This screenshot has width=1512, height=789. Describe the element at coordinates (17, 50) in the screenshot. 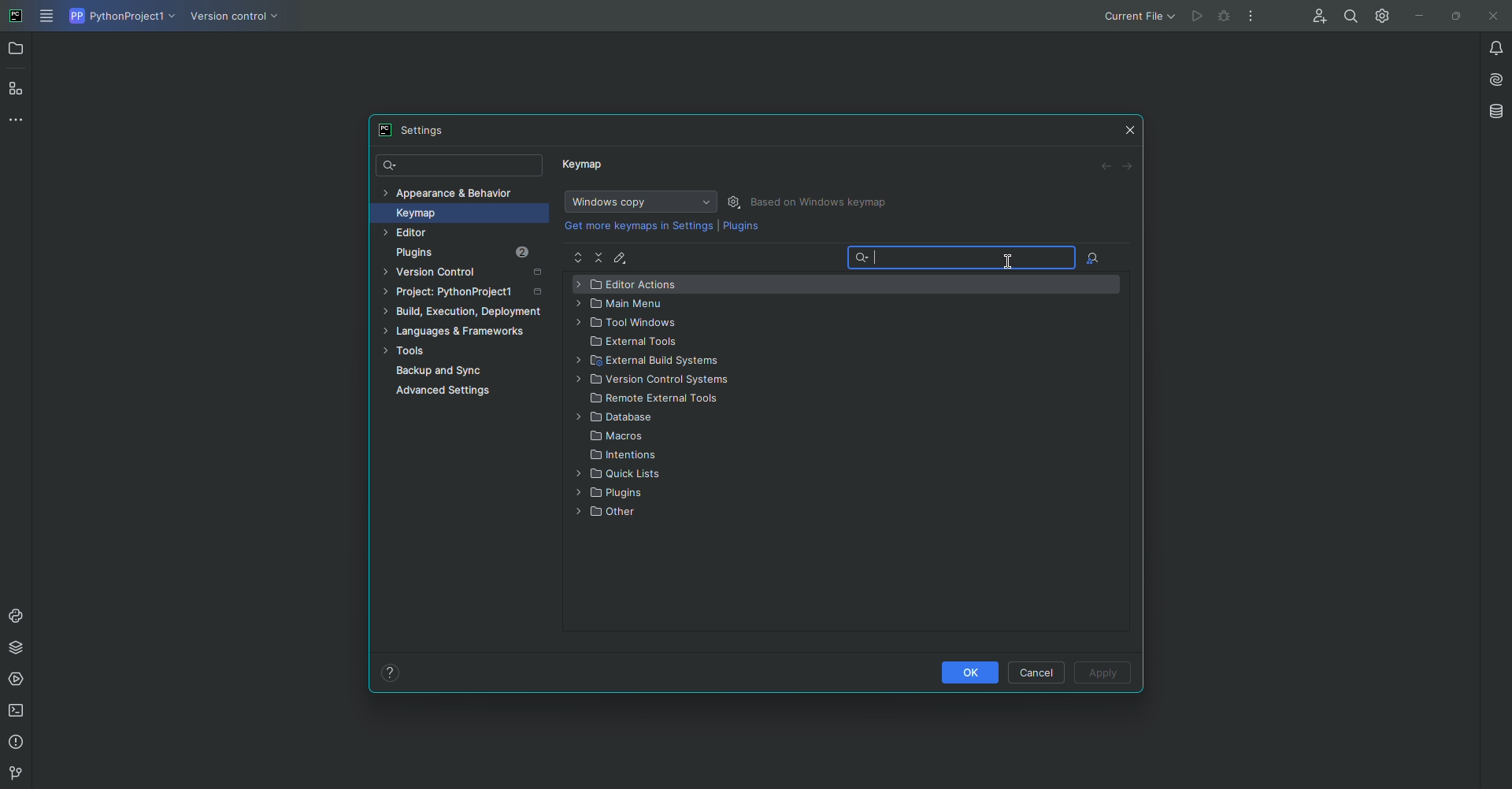

I see `Project` at that location.